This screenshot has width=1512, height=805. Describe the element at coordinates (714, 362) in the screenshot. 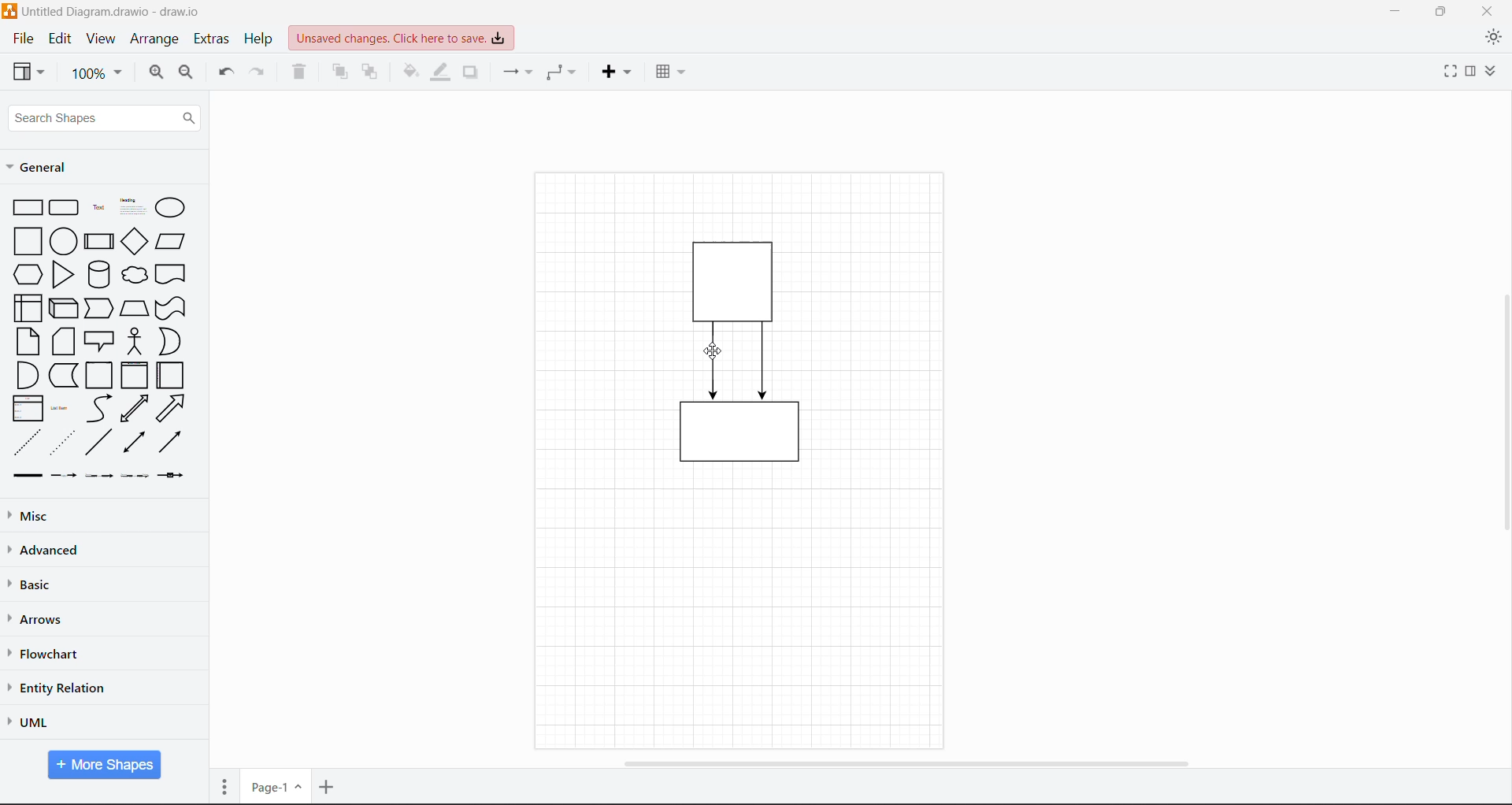

I see `Directional Connector` at that location.